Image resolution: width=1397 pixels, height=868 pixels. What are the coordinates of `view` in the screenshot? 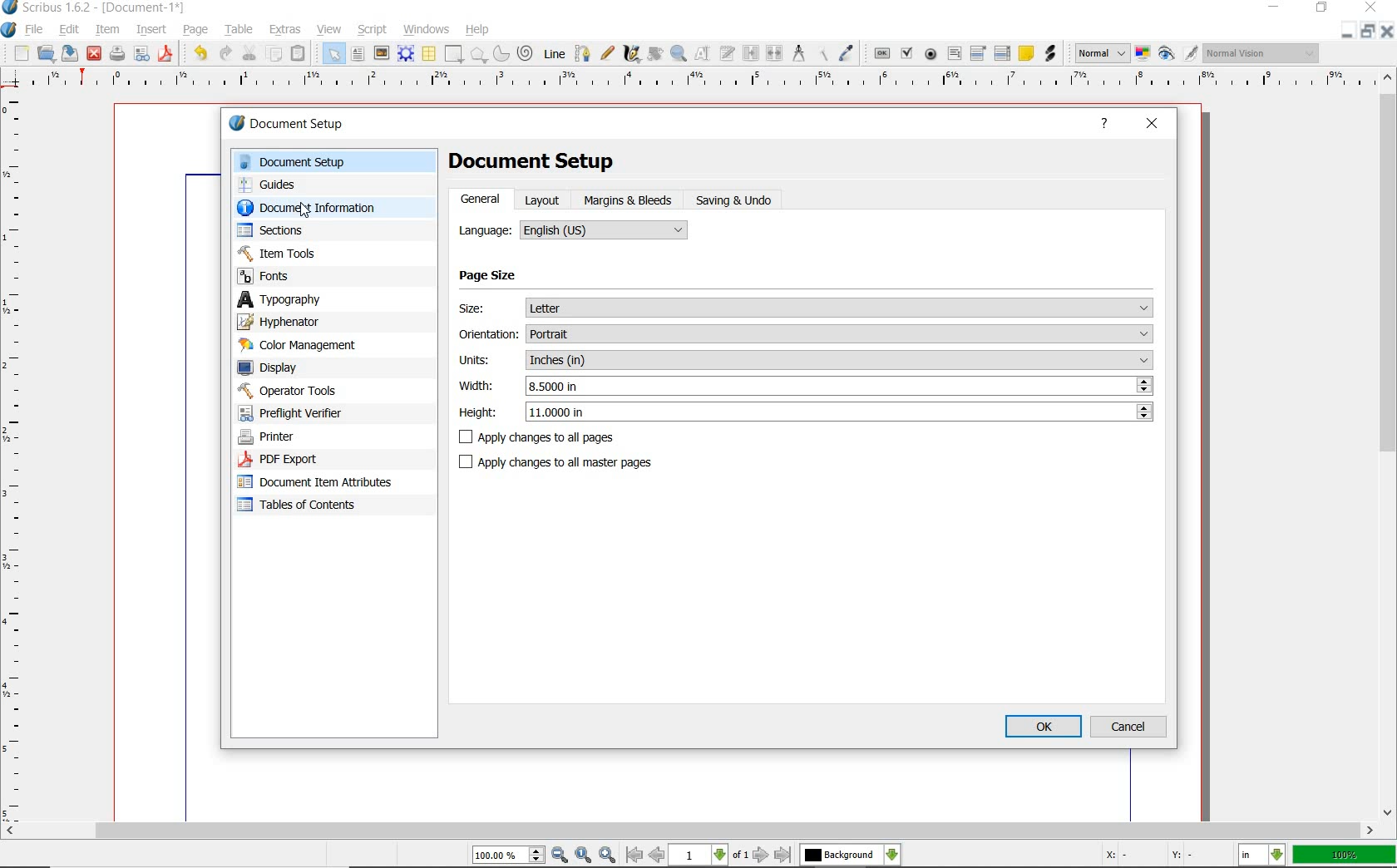 It's located at (328, 29).